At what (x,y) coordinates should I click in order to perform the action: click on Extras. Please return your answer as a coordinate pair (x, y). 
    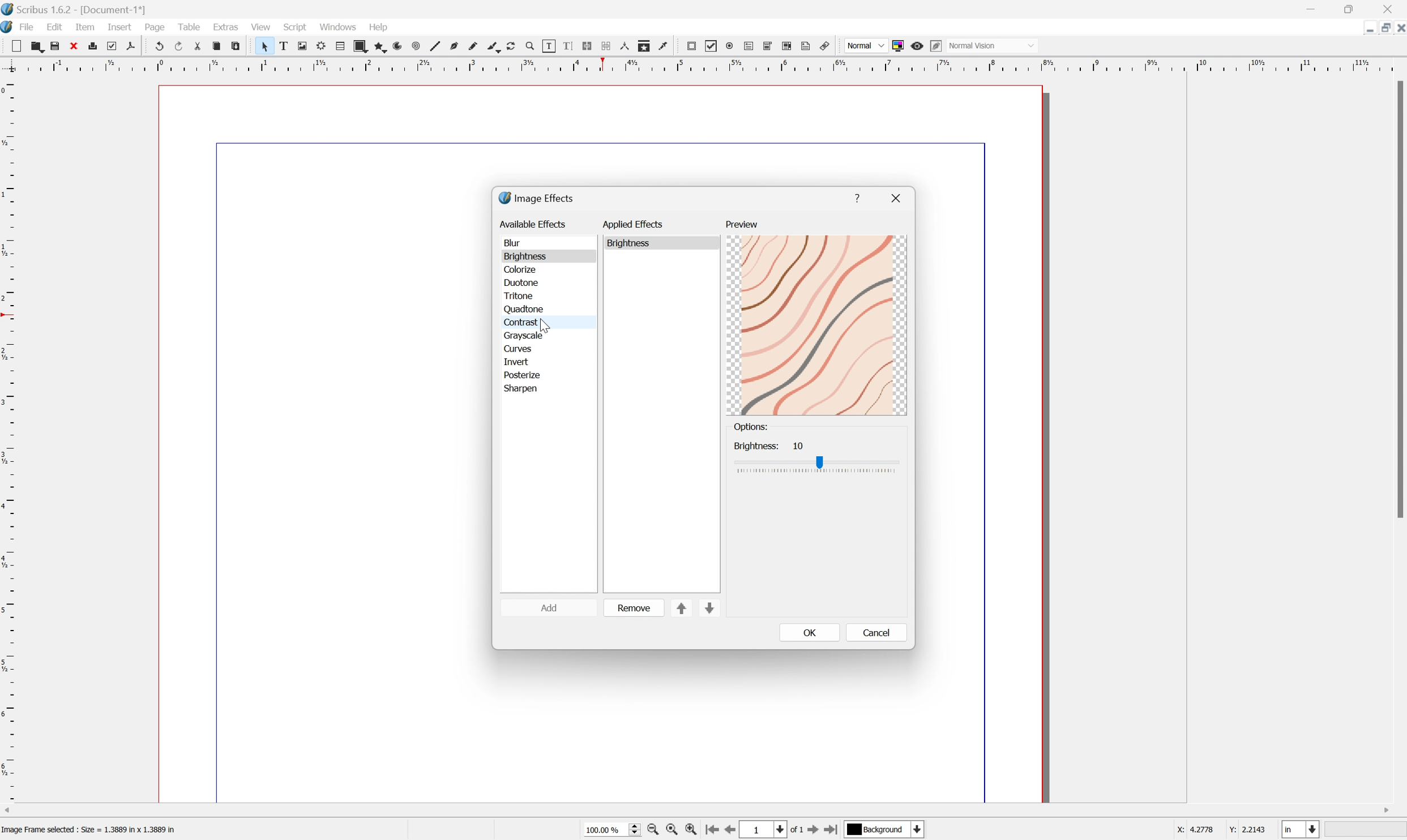
    Looking at the image, I should click on (226, 29).